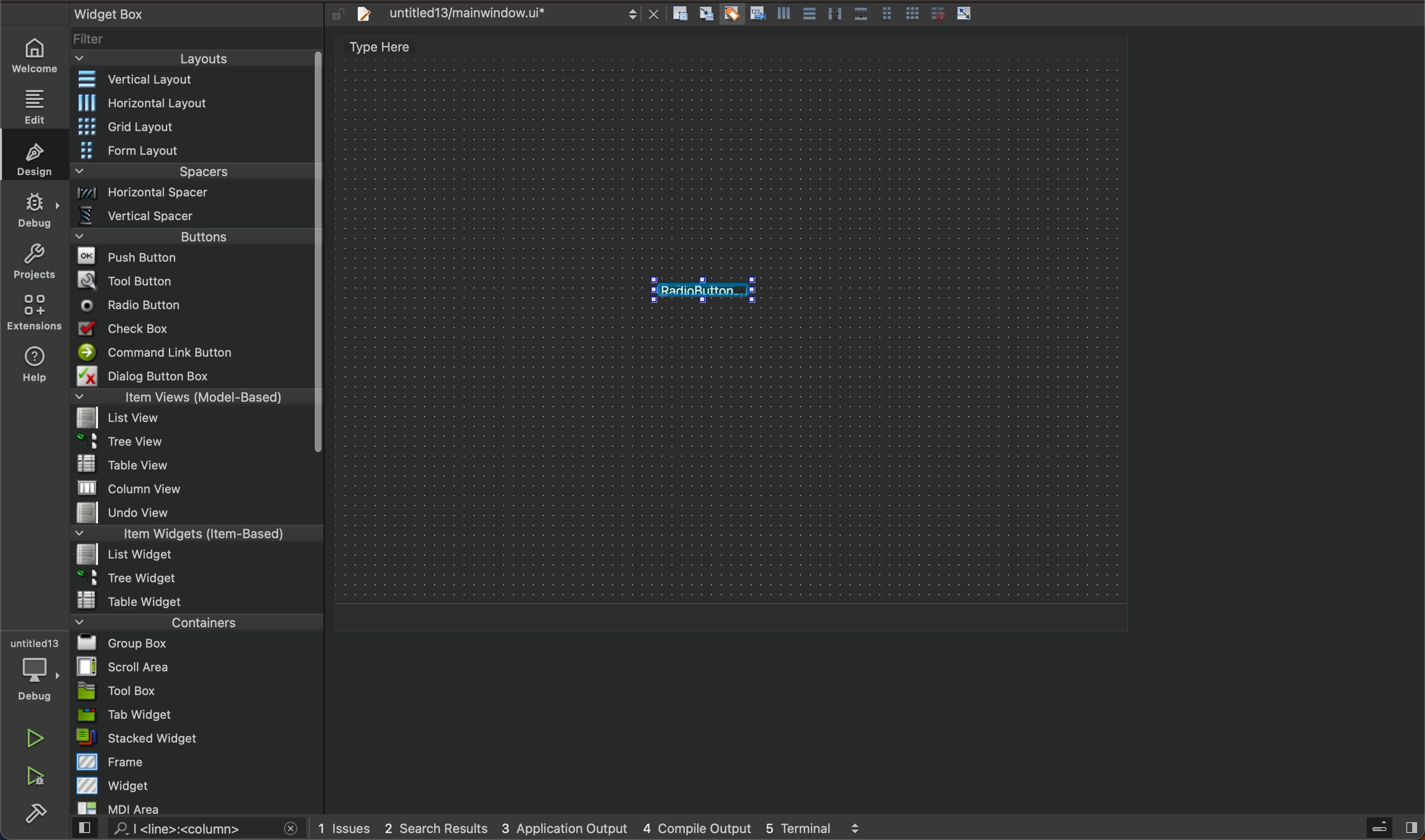 The width and height of the screenshot is (1425, 840). What do you see at coordinates (198, 579) in the screenshot?
I see `tree widget` at bounding box center [198, 579].